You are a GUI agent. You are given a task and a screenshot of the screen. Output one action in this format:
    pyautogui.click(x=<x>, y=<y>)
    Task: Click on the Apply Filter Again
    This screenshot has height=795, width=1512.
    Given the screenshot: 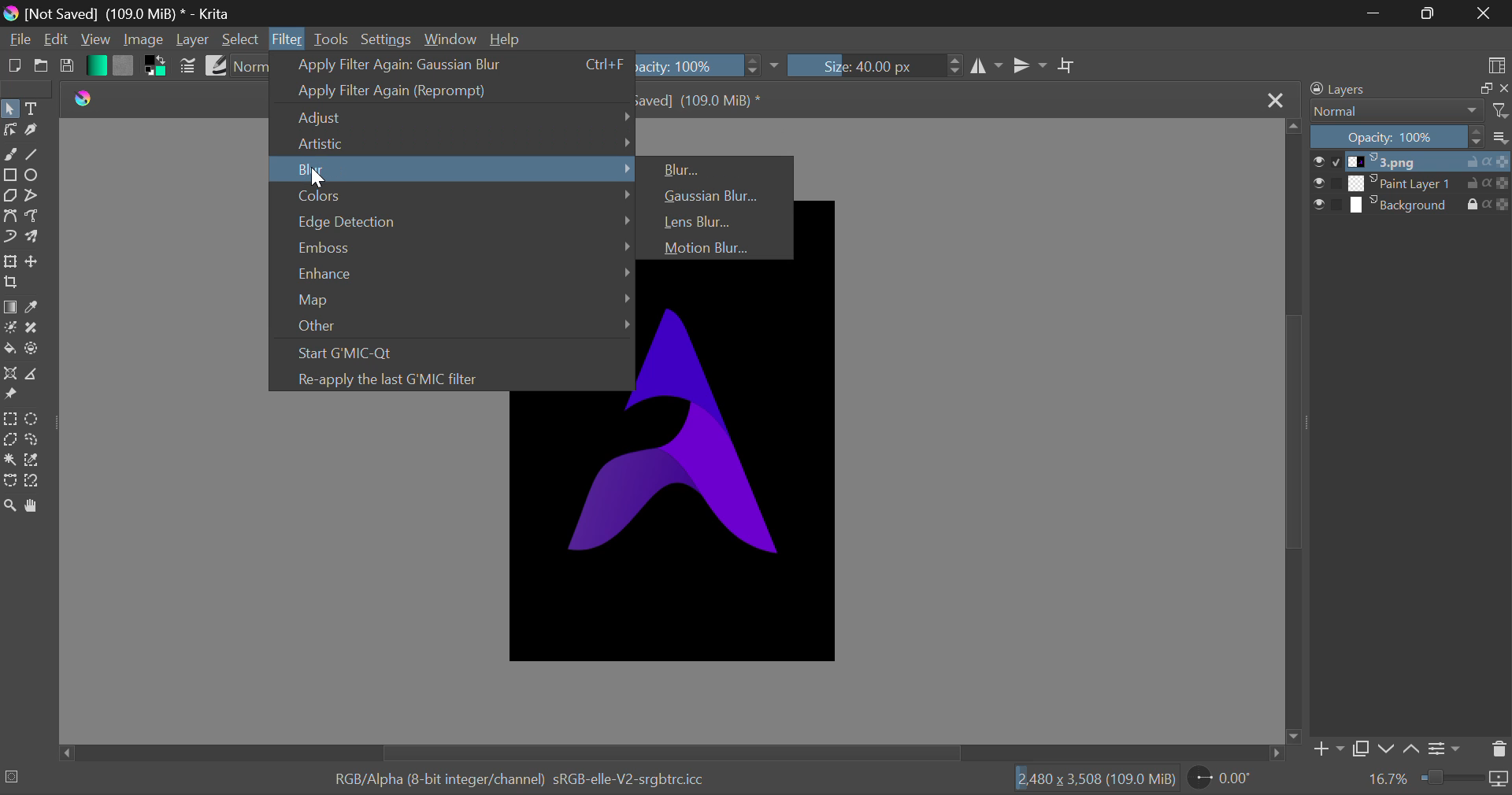 What is the action you would take?
    pyautogui.click(x=414, y=65)
    